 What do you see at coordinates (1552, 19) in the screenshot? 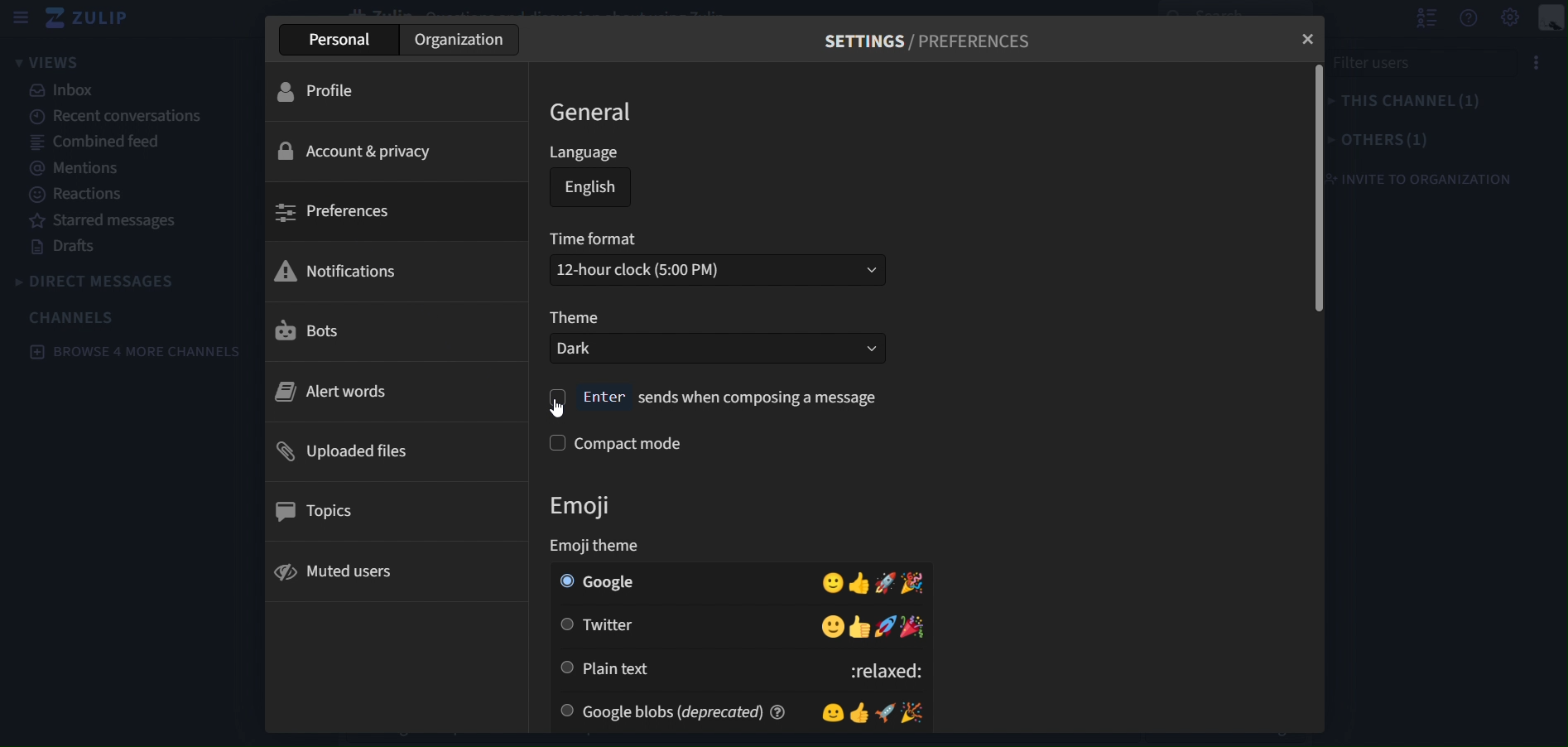
I see `personal menu` at bounding box center [1552, 19].